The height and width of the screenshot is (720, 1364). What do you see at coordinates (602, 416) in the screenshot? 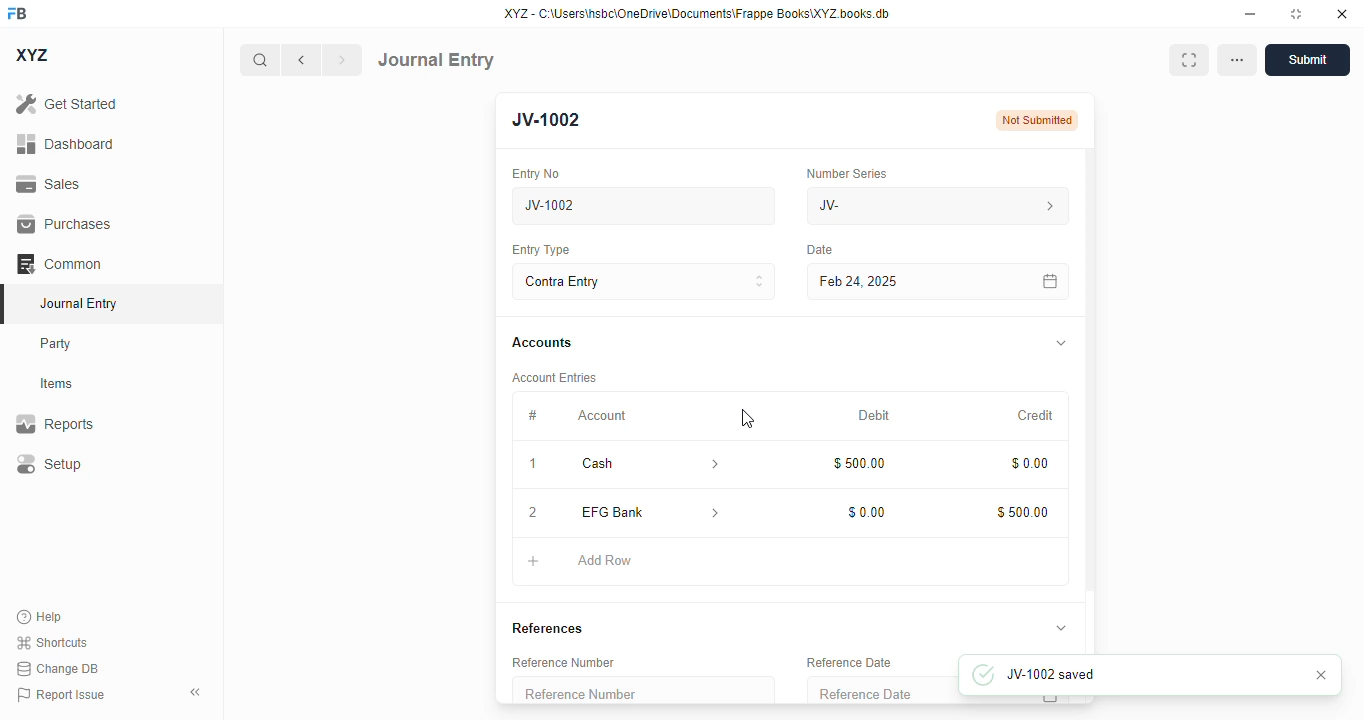
I see `account` at bounding box center [602, 416].